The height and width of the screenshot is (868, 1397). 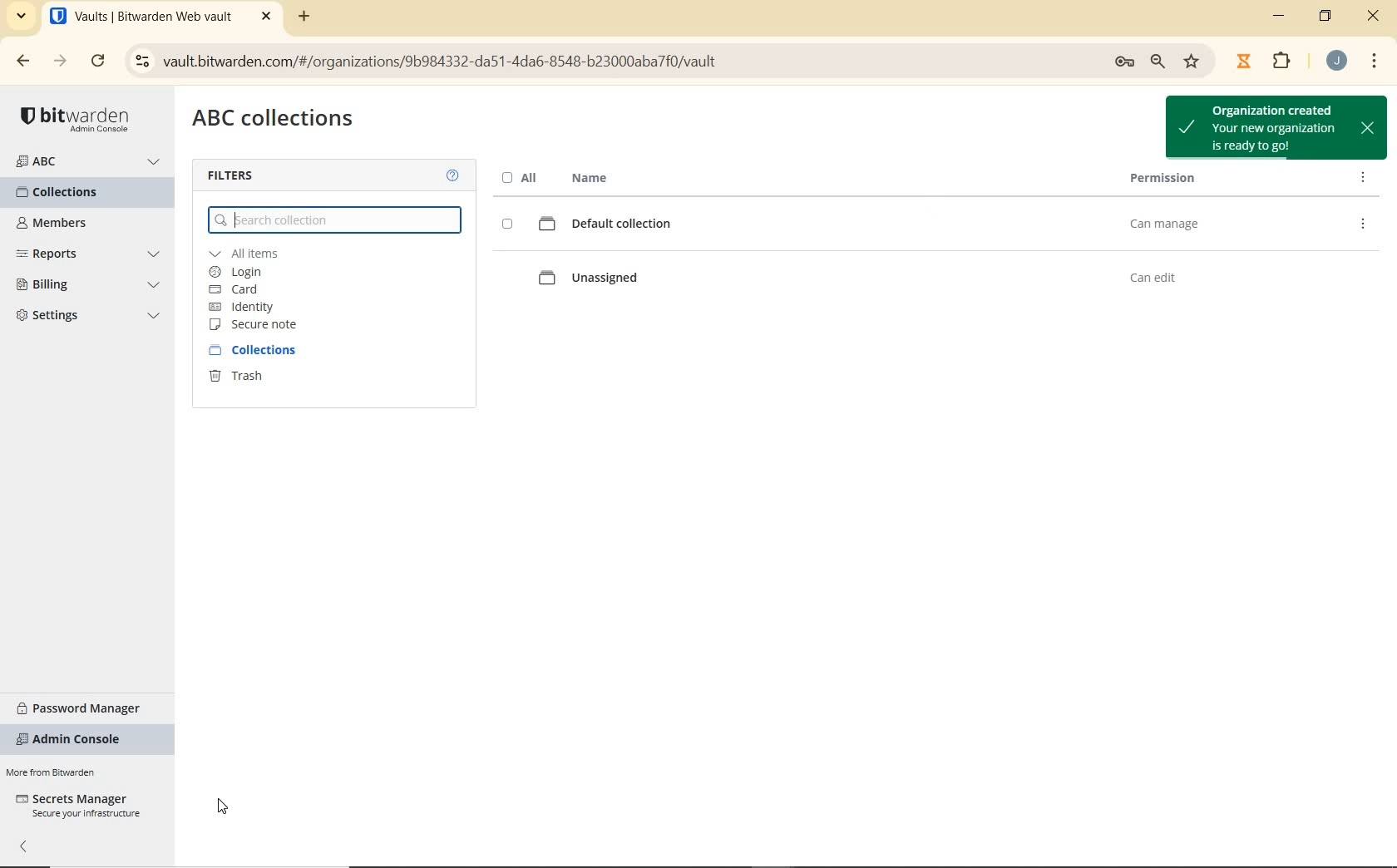 What do you see at coordinates (86, 224) in the screenshot?
I see `MEMBERS` at bounding box center [86, 224].